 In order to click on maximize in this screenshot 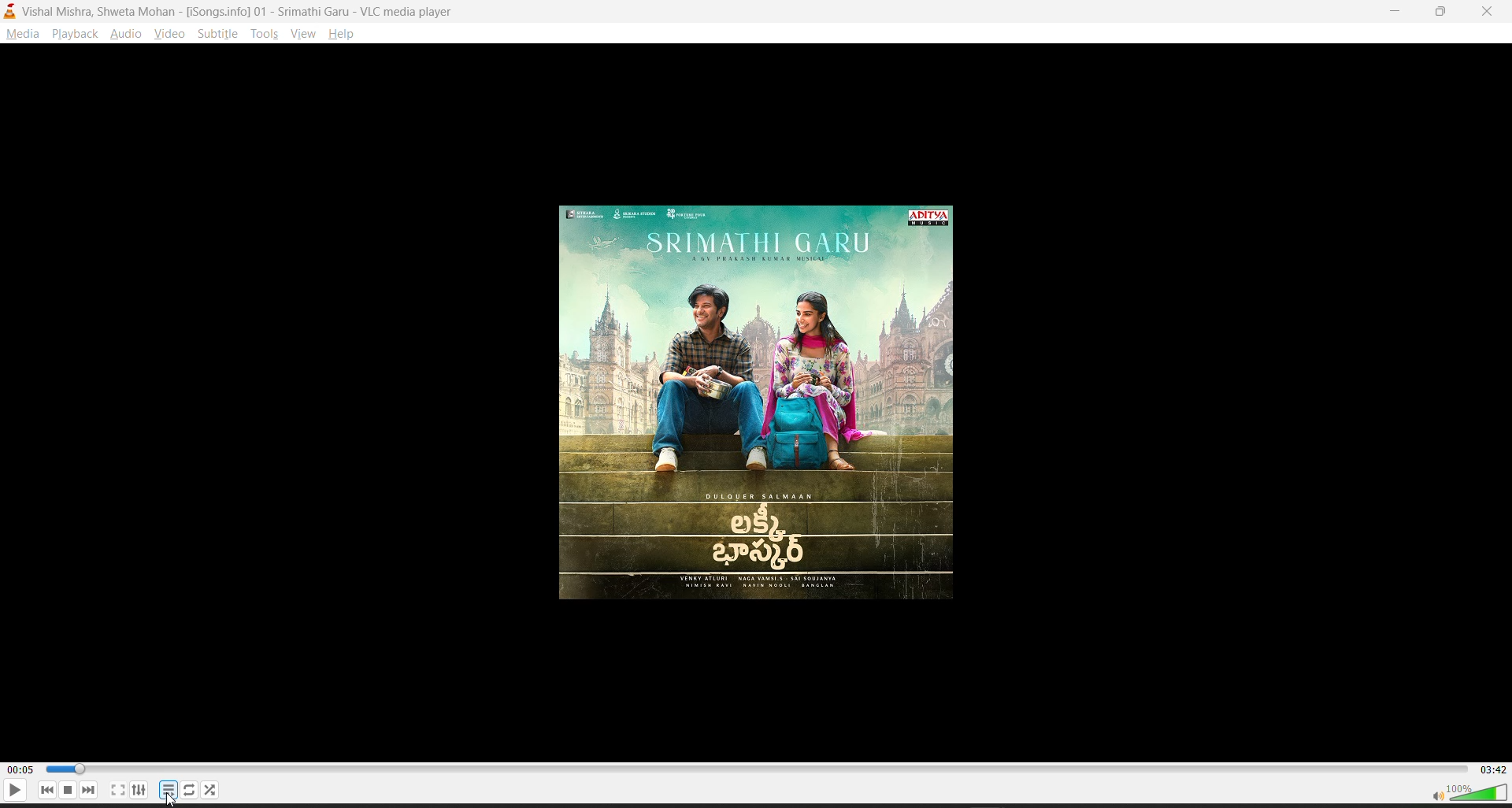, I will do `click(1443, 12)`.